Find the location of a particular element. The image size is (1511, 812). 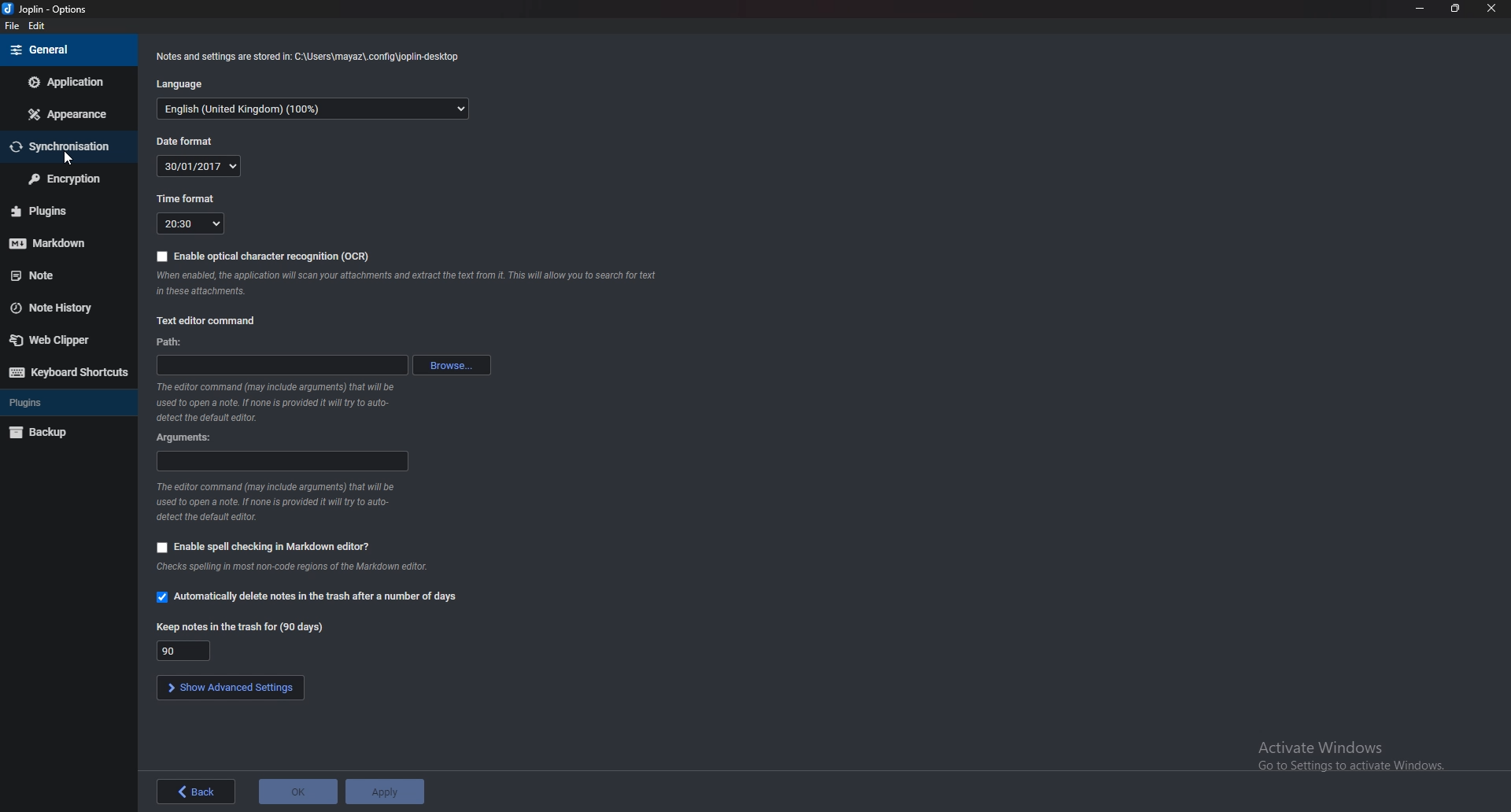

info is located at coordinates (279, 501).